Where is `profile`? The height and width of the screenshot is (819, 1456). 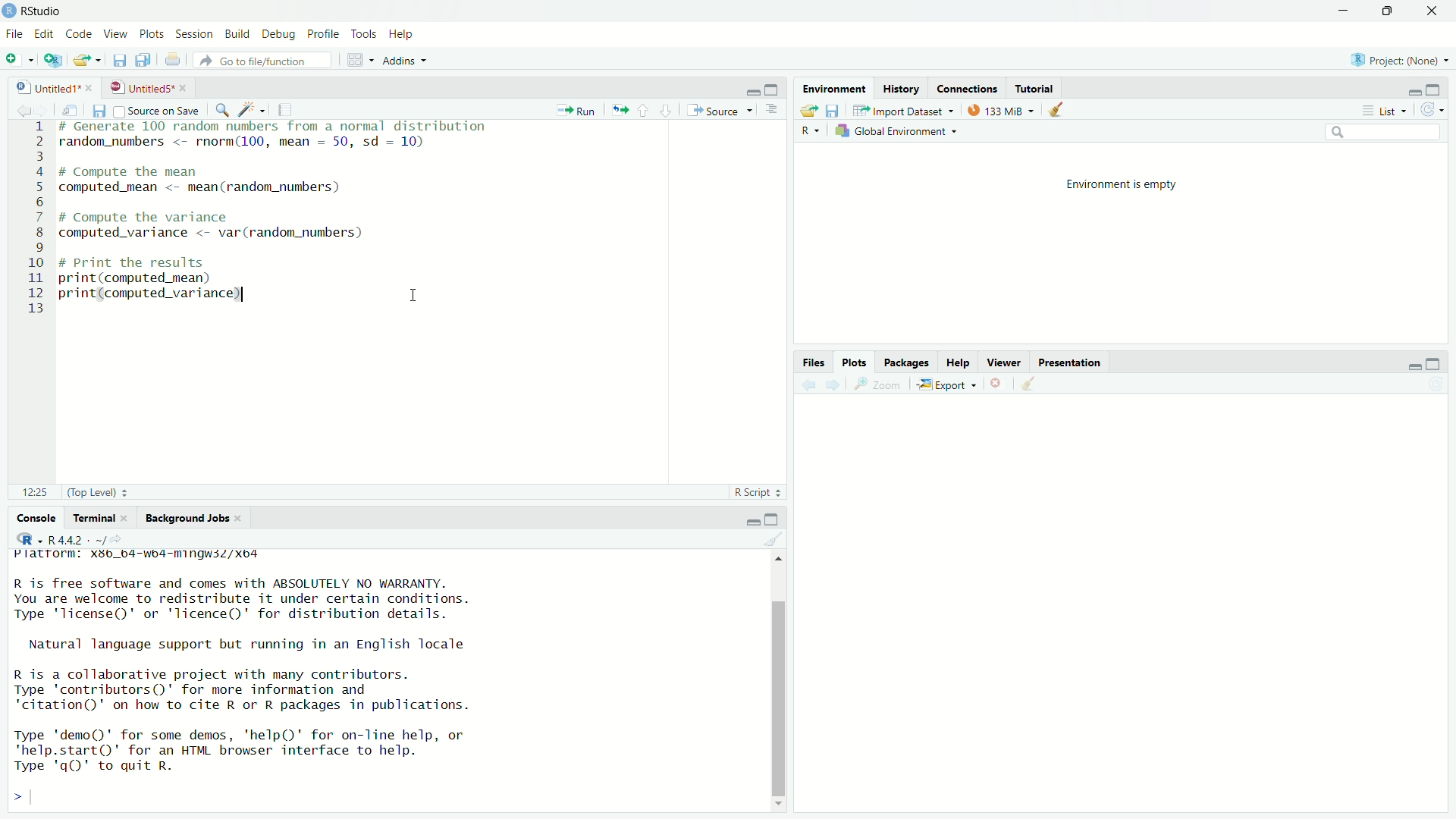
profile is located at coordinates (325, 32).